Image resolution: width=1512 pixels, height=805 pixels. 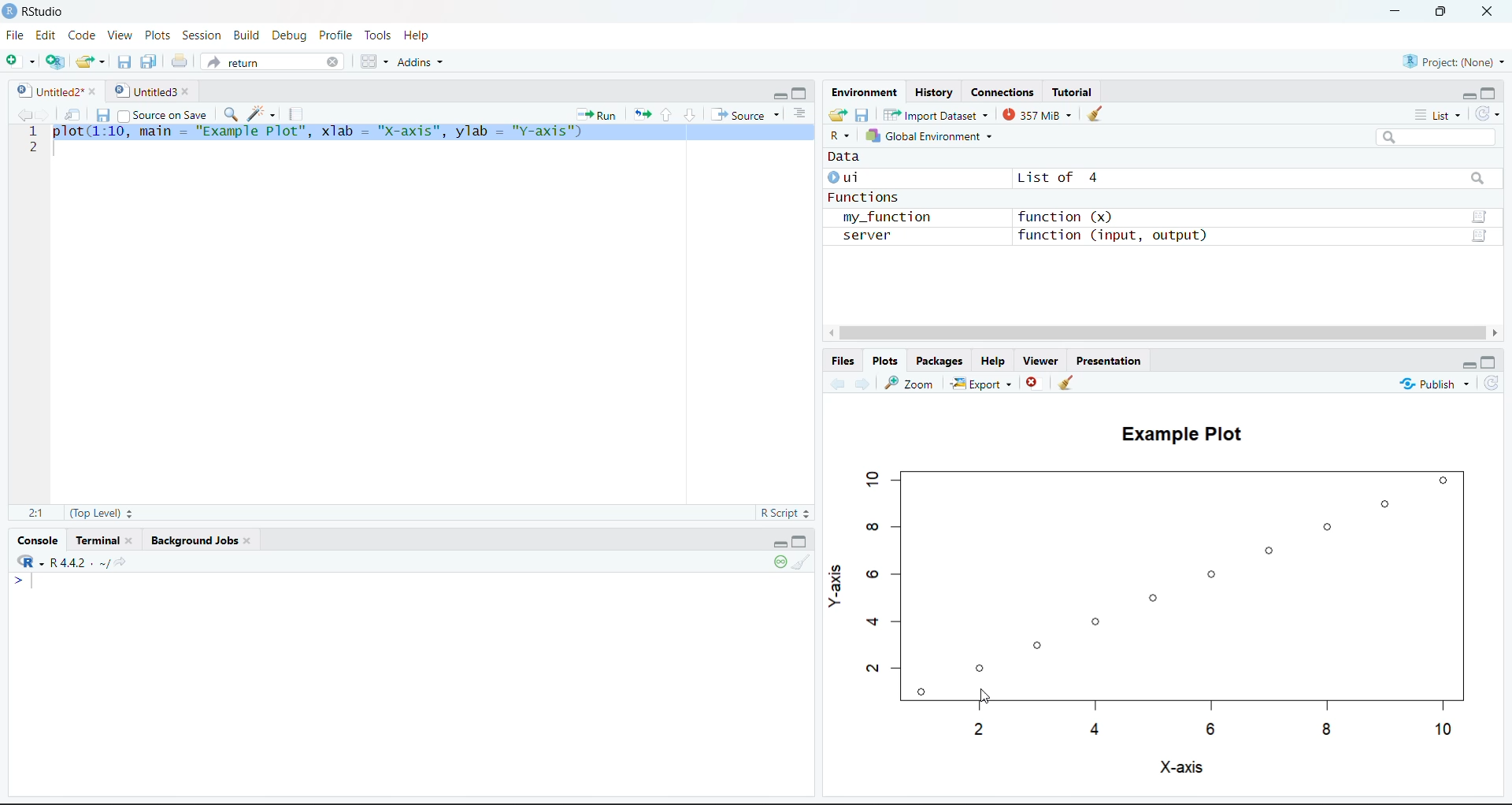 I want to click on Open an existing file (Ctrl + O), so click(x=89, y=62).